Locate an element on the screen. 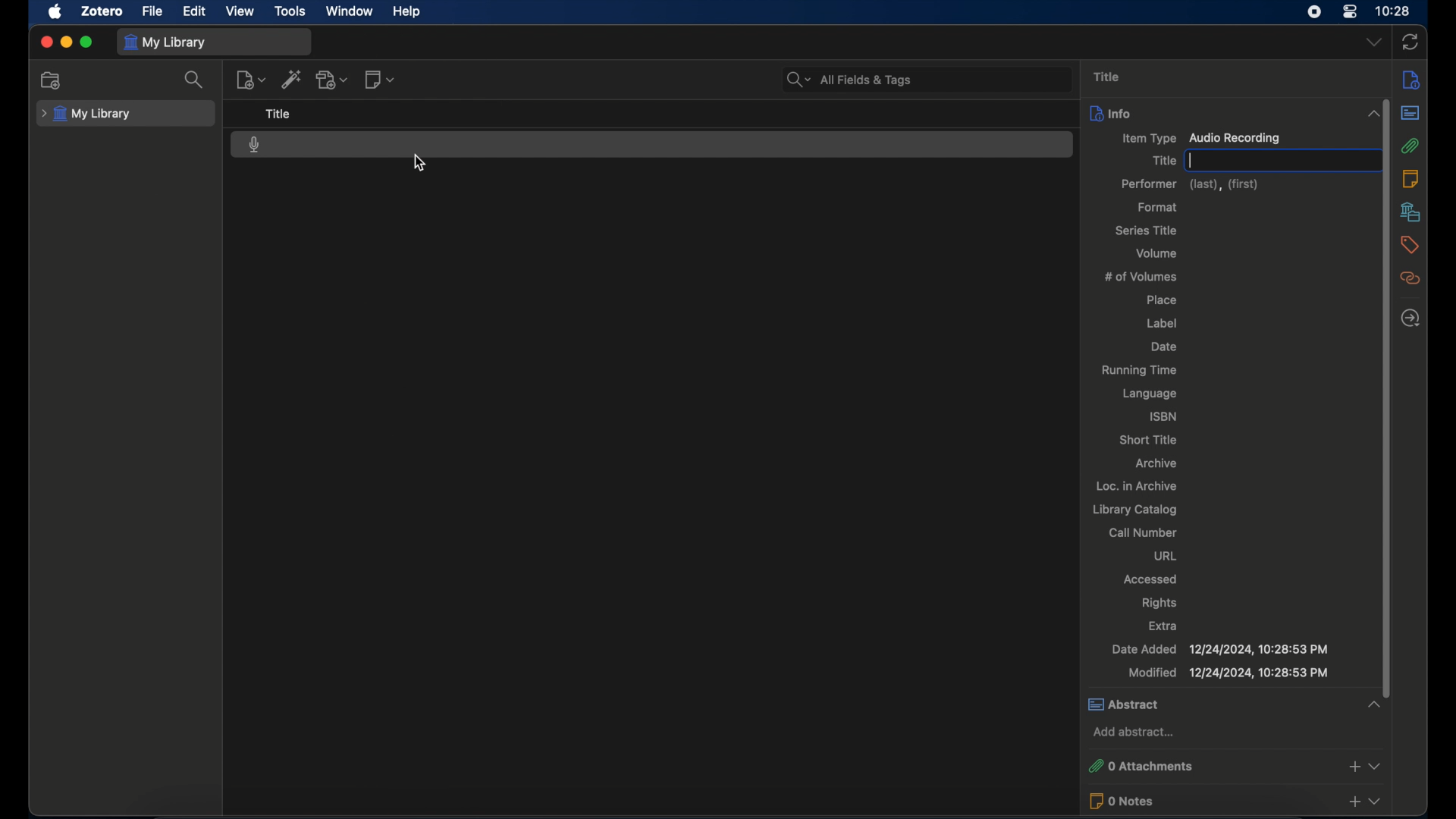  tile is located at coordinates (278, 114).